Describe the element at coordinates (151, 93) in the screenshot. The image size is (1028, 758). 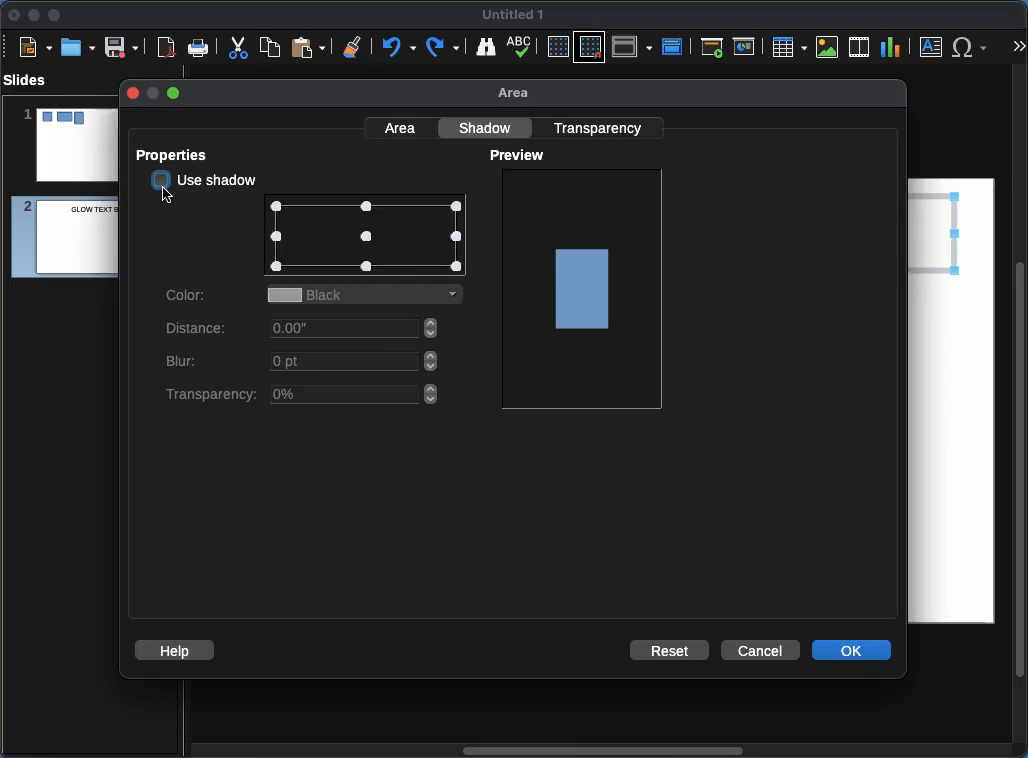
I see `minimize` at that location.